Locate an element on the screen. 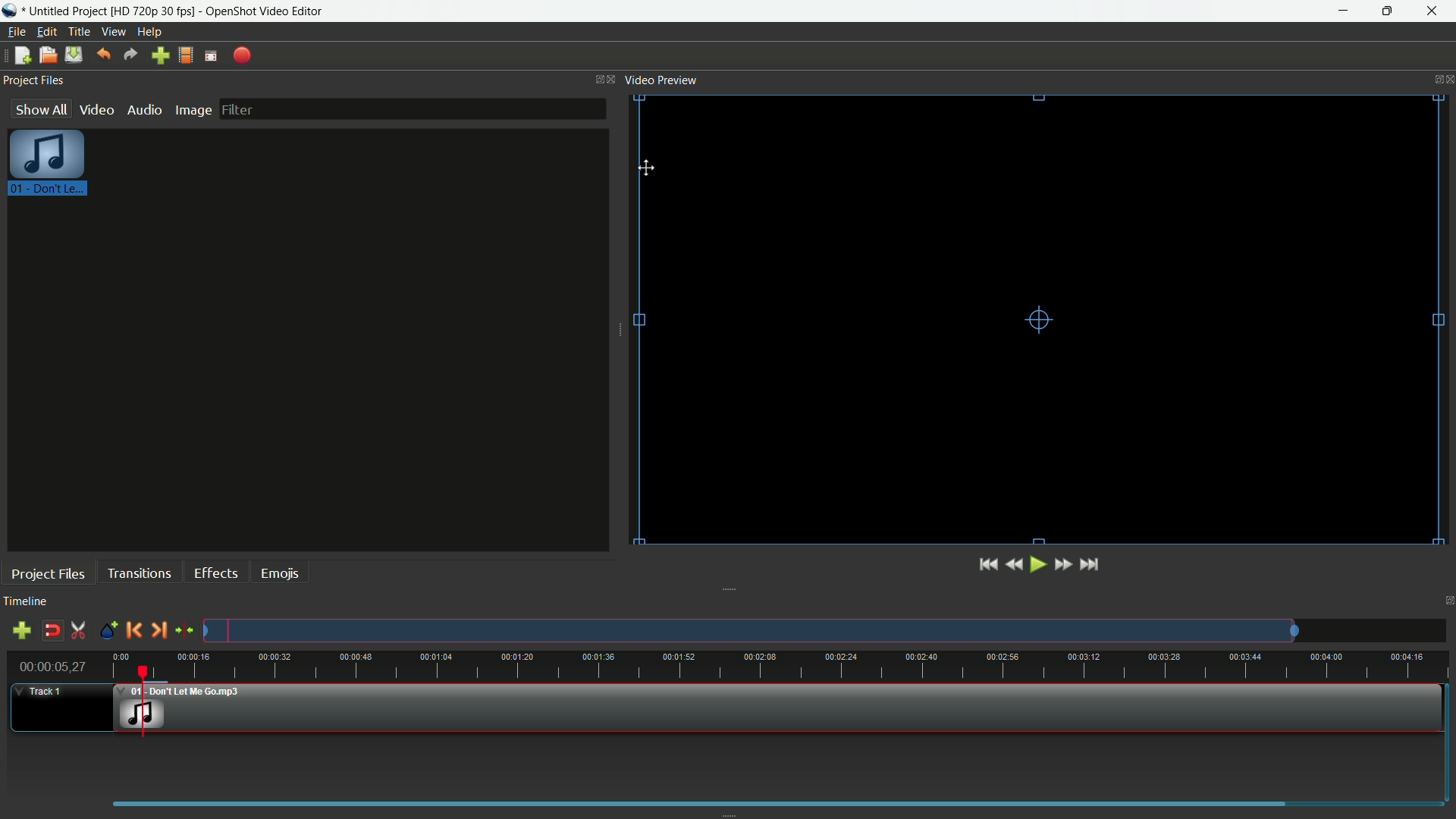  change layout is located at coordinates (595, 78).